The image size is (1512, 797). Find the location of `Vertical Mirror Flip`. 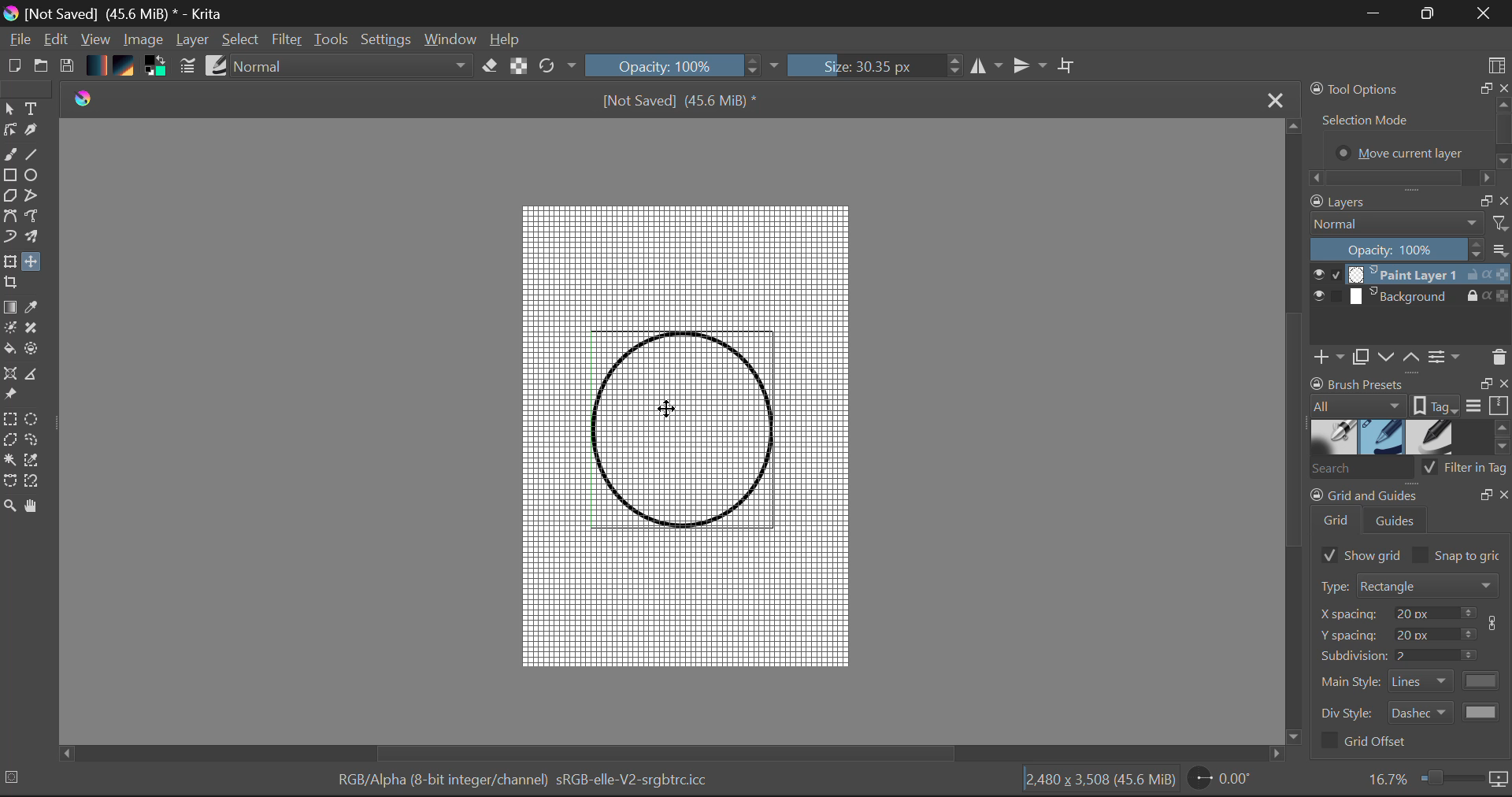

Vertical Mirror Flip is located at coordinates (988, 66).